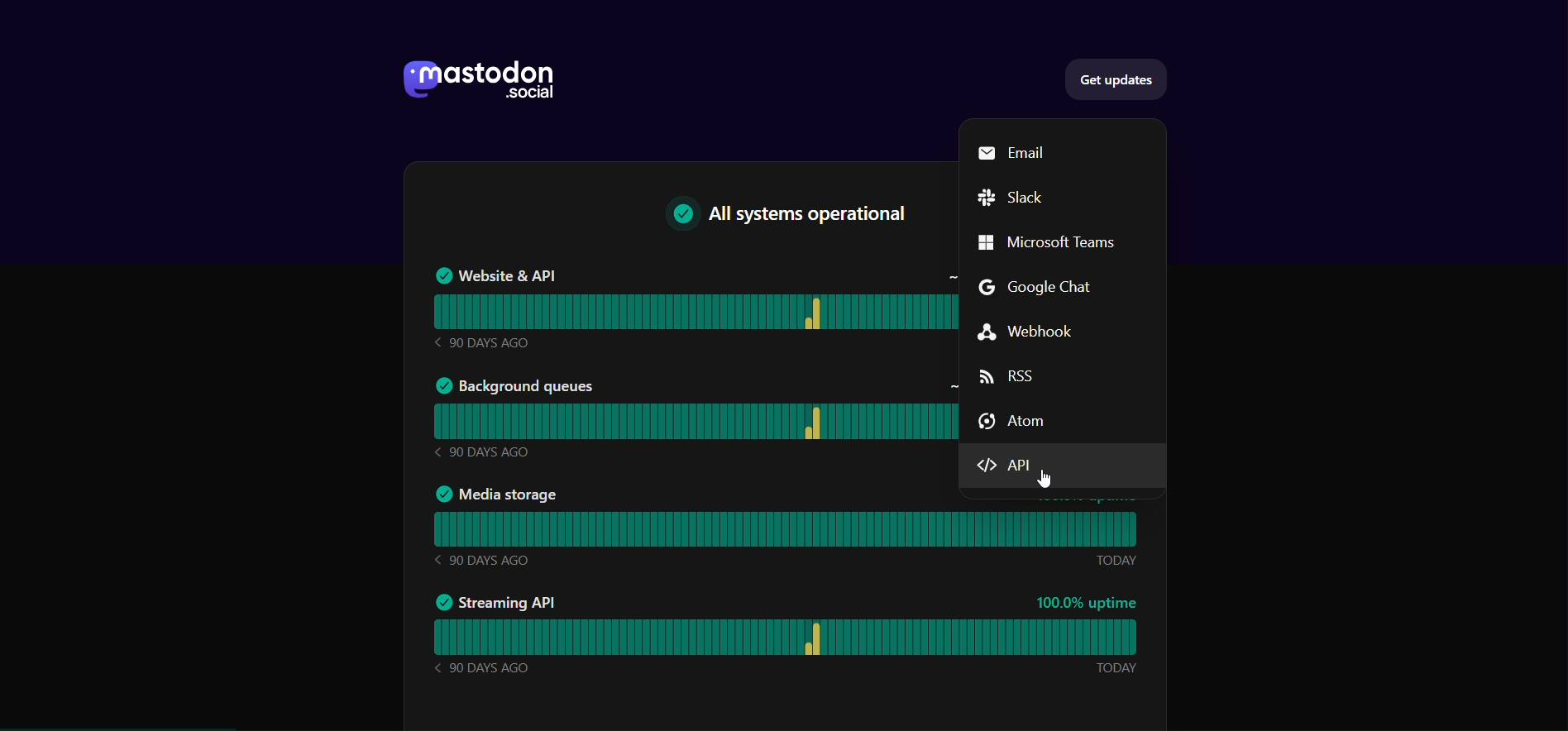 This screenshot has height=731, width=1568. I want to click on Cursor, so click(1059, 480).